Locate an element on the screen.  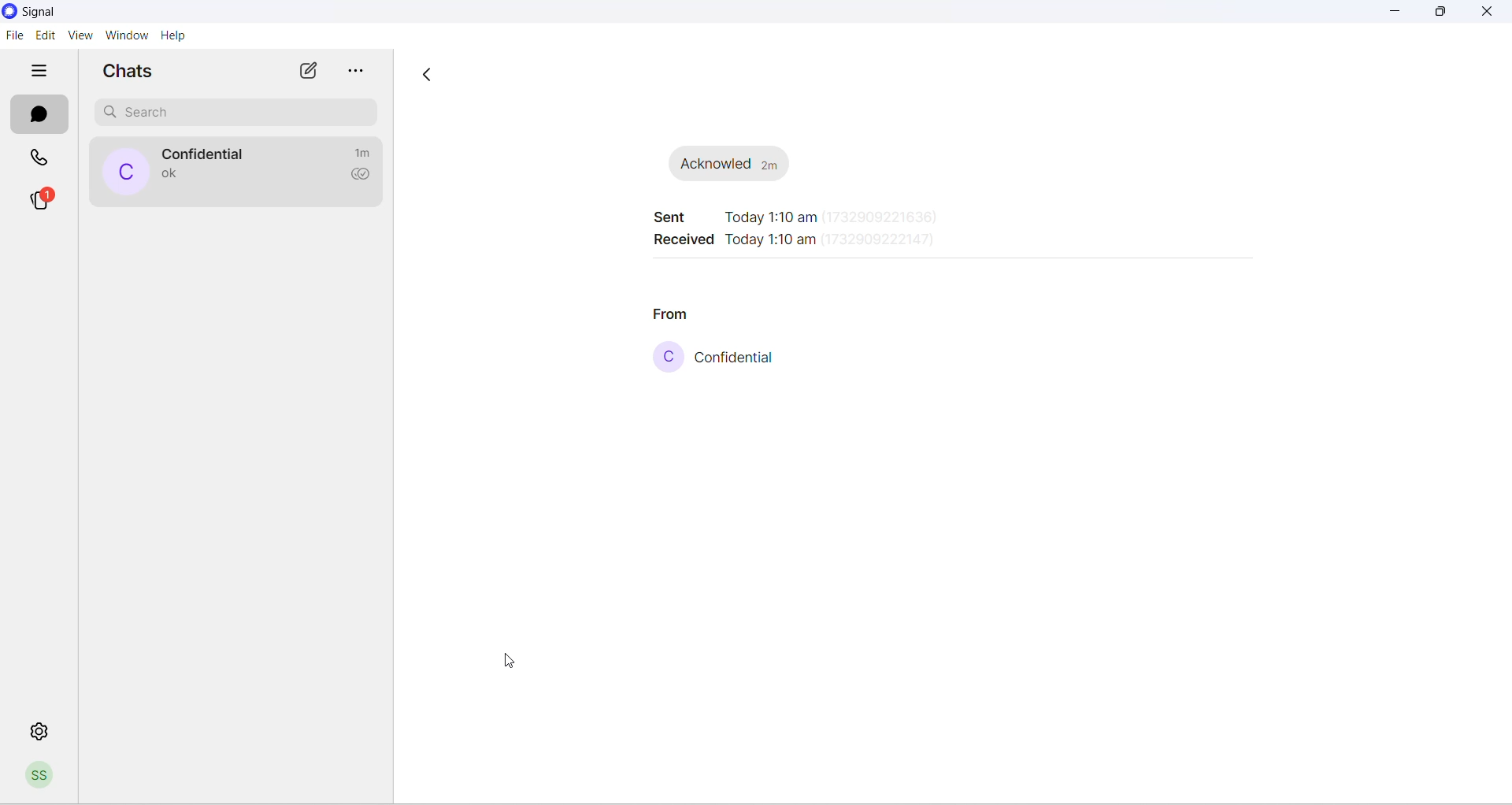
sent timing heading is located at coordinates (673, 217).